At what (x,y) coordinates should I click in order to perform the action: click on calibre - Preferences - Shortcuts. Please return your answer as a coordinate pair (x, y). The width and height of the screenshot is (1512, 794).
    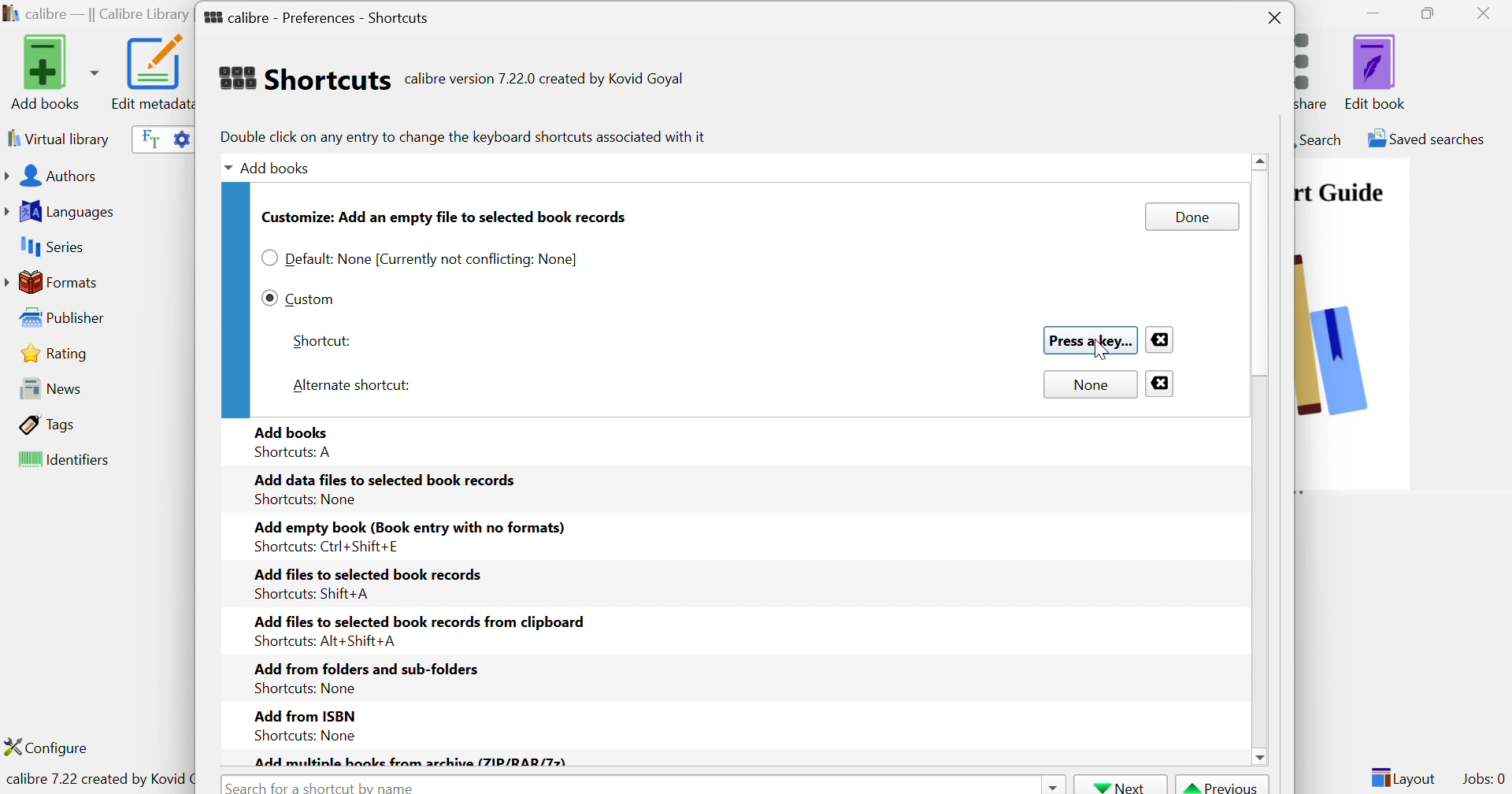
    Looking at the image, I should click on (317, 14).